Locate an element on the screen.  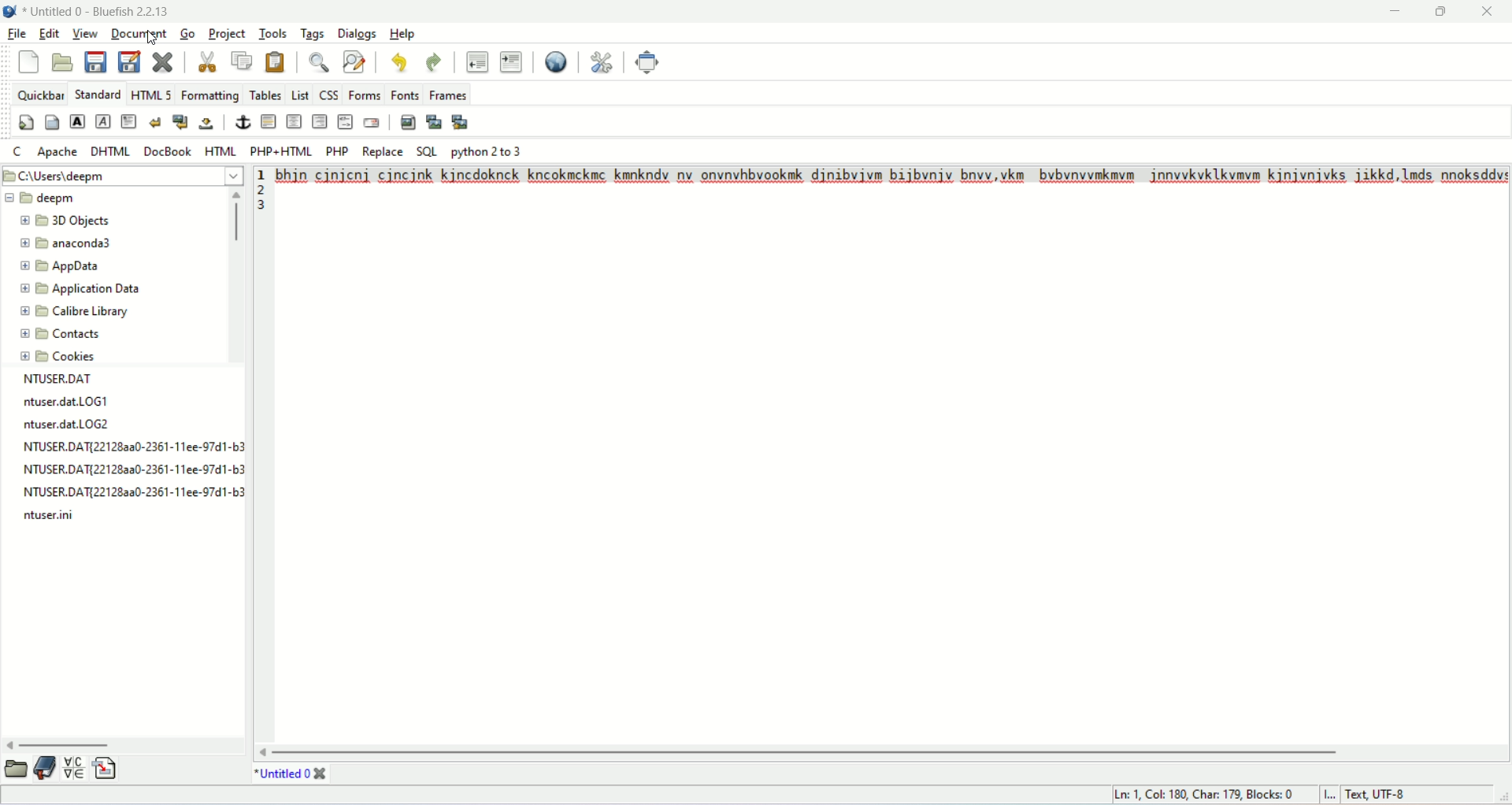
horizontal scroll bar is located at coordinates (883, 751).